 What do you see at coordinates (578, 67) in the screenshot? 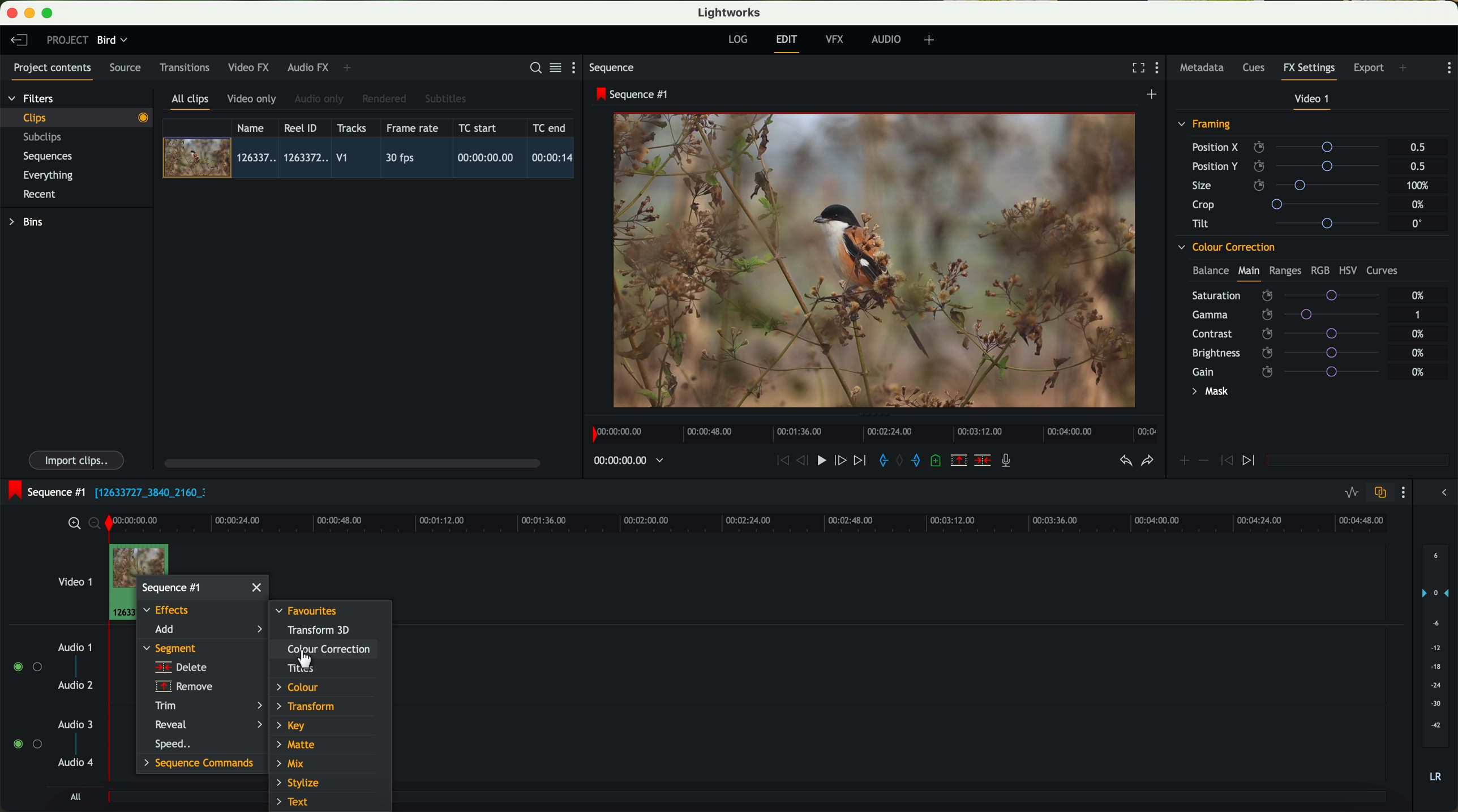
I see `show settings menu` at bounding box center [578, 67].